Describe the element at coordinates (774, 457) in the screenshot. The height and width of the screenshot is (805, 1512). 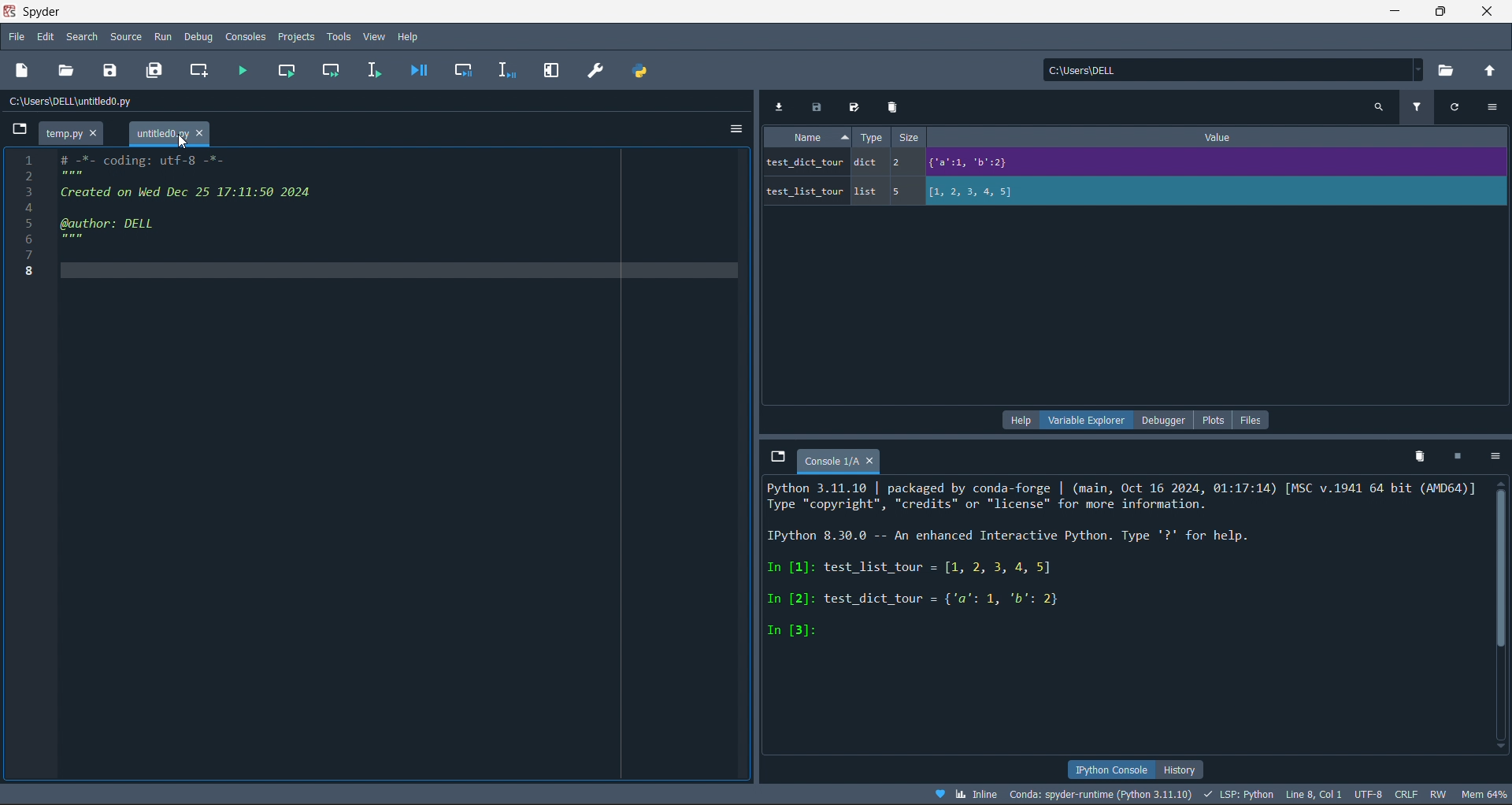
I see `browse tabs` at that location.